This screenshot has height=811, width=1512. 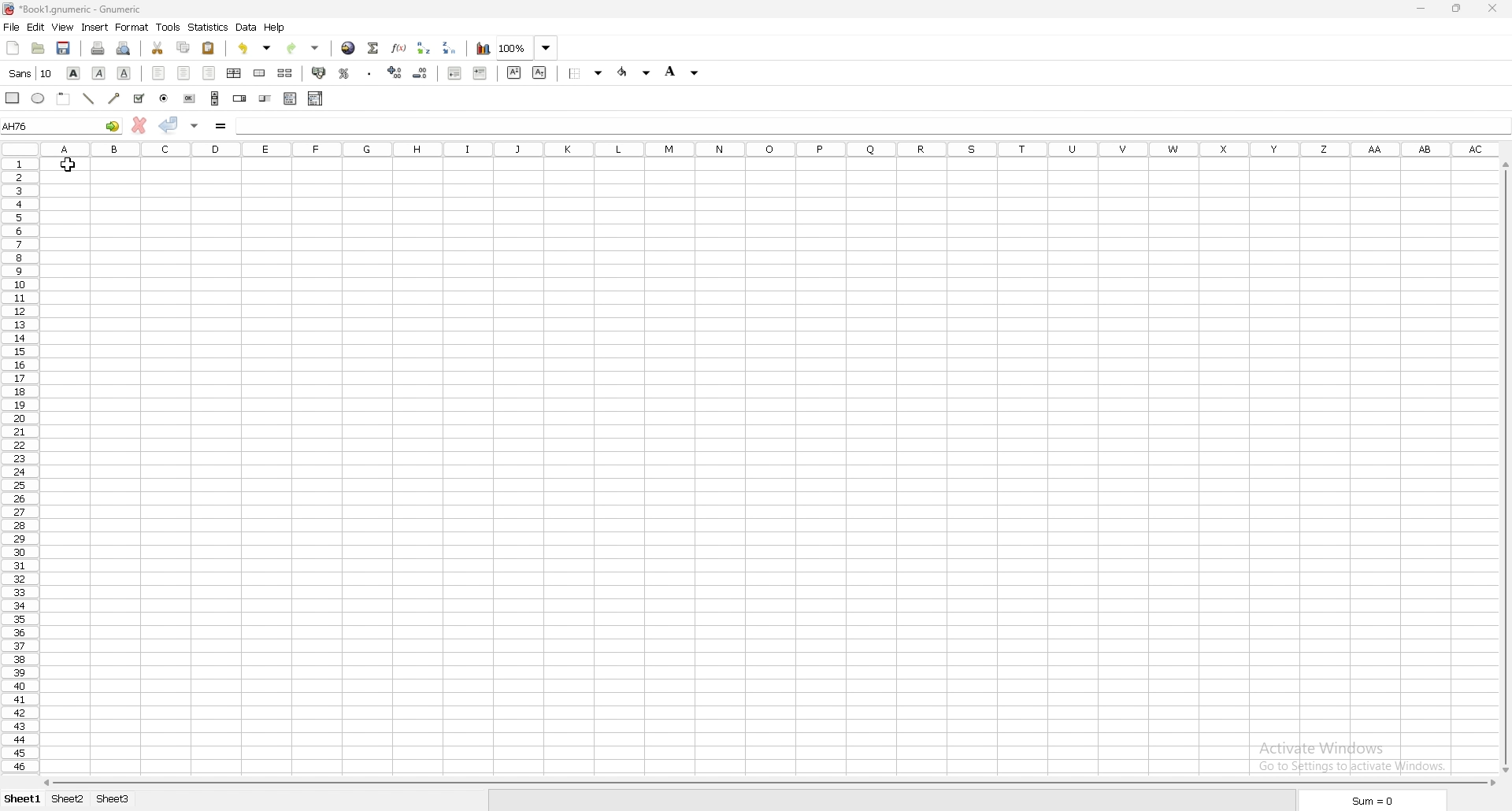 I want to click on line, so click(x=90, y=98).